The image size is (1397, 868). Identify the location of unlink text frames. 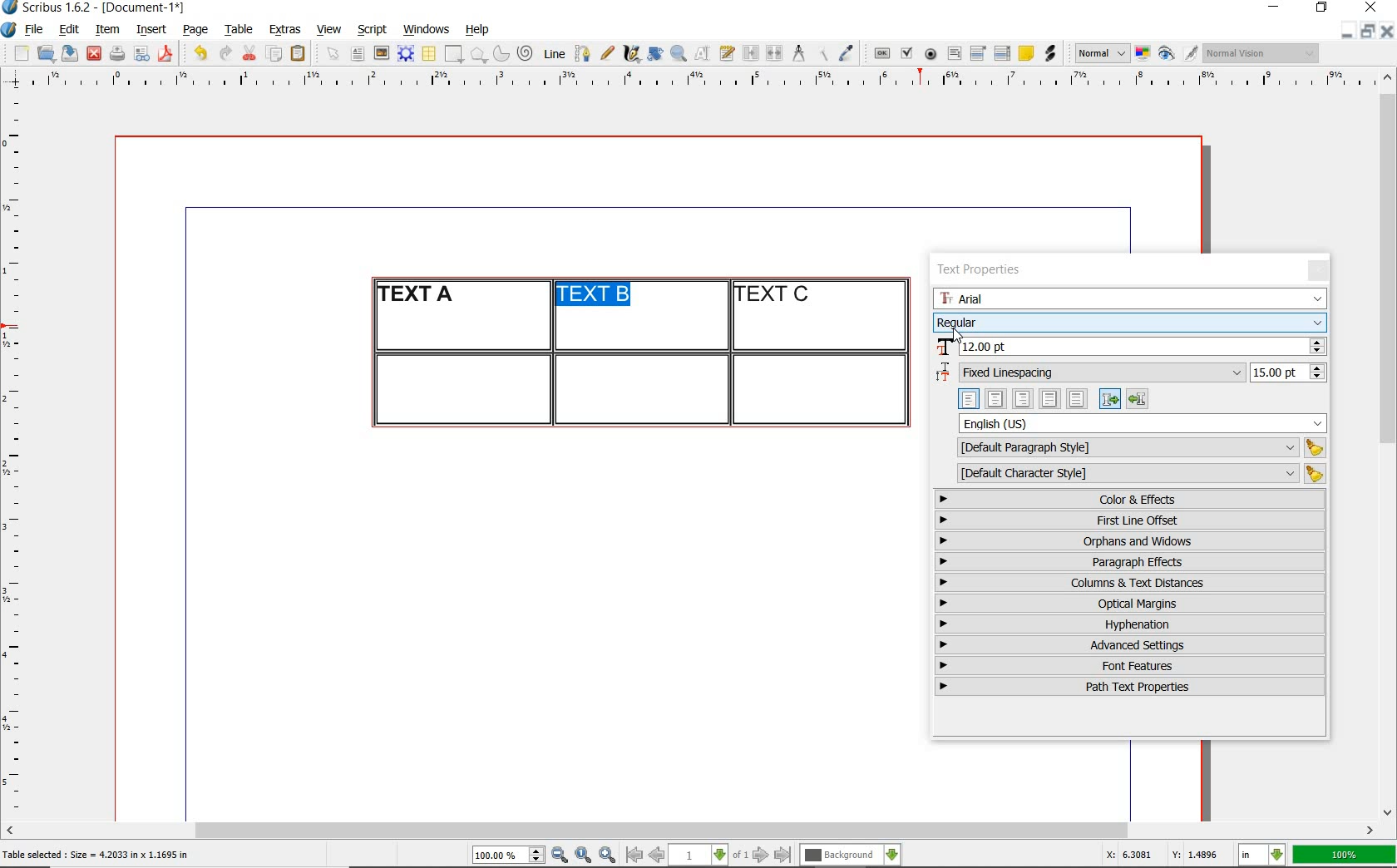
(774, 54).